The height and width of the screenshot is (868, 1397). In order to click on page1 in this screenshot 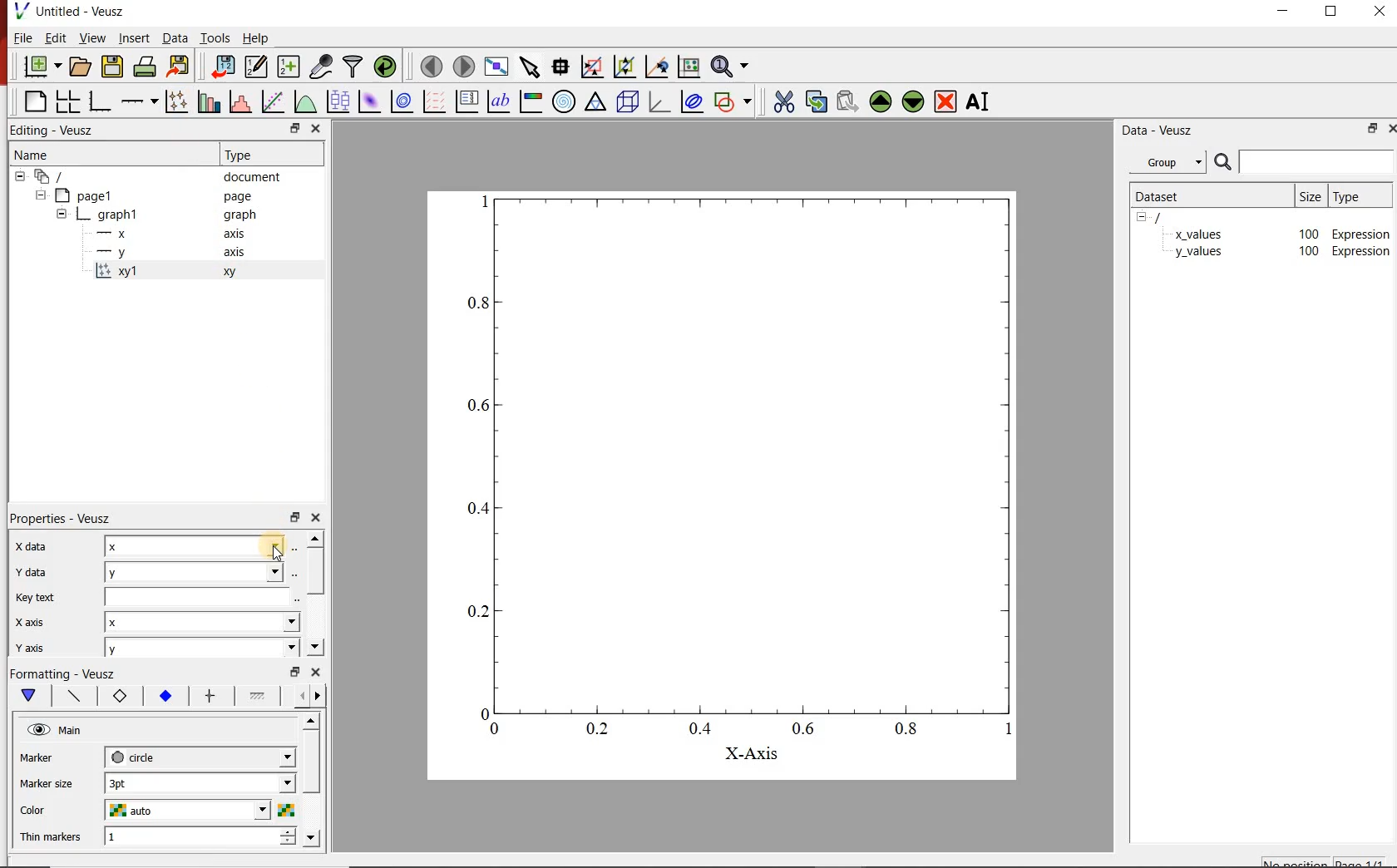, I will do `click(91, 194)`.